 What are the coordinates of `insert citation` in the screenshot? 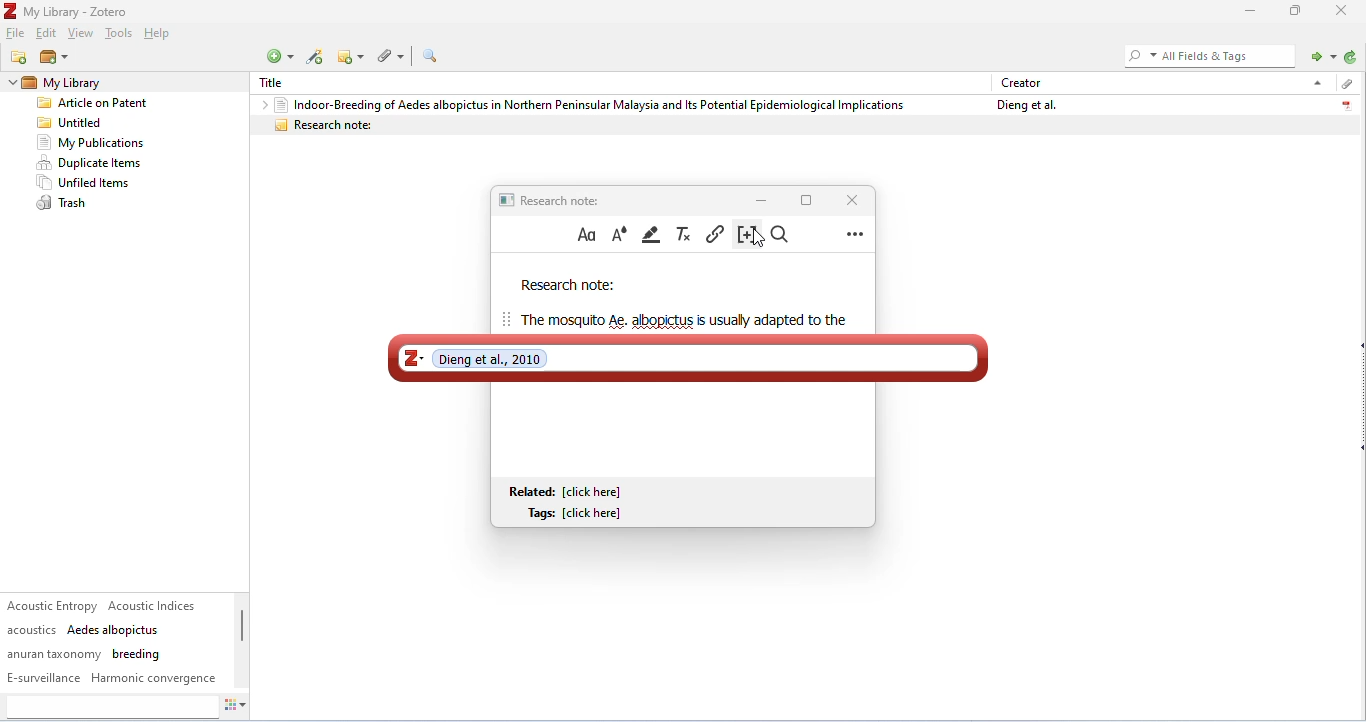 It's located at (744, 235).